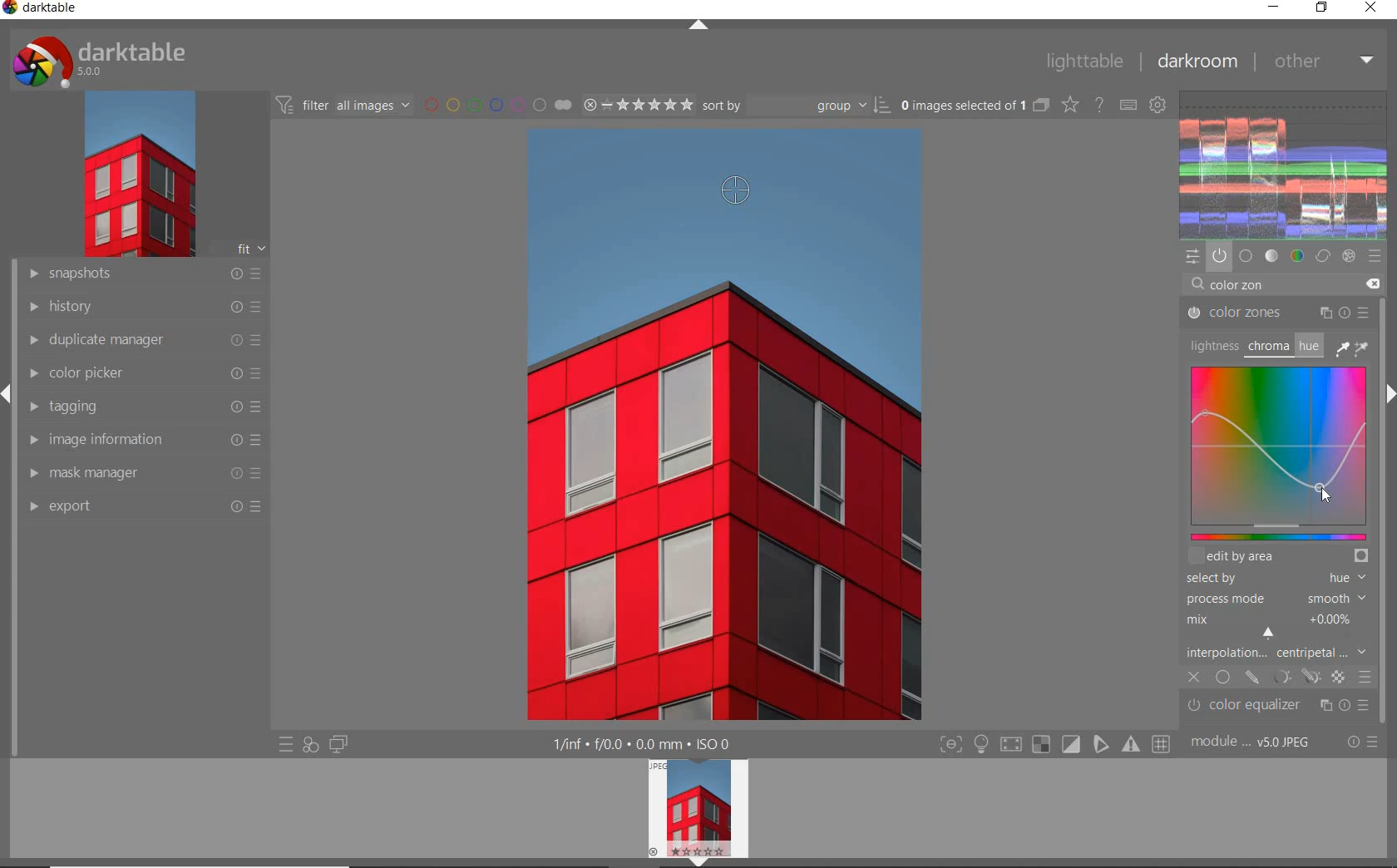  I want to click on MIX, so click(1274, 623).